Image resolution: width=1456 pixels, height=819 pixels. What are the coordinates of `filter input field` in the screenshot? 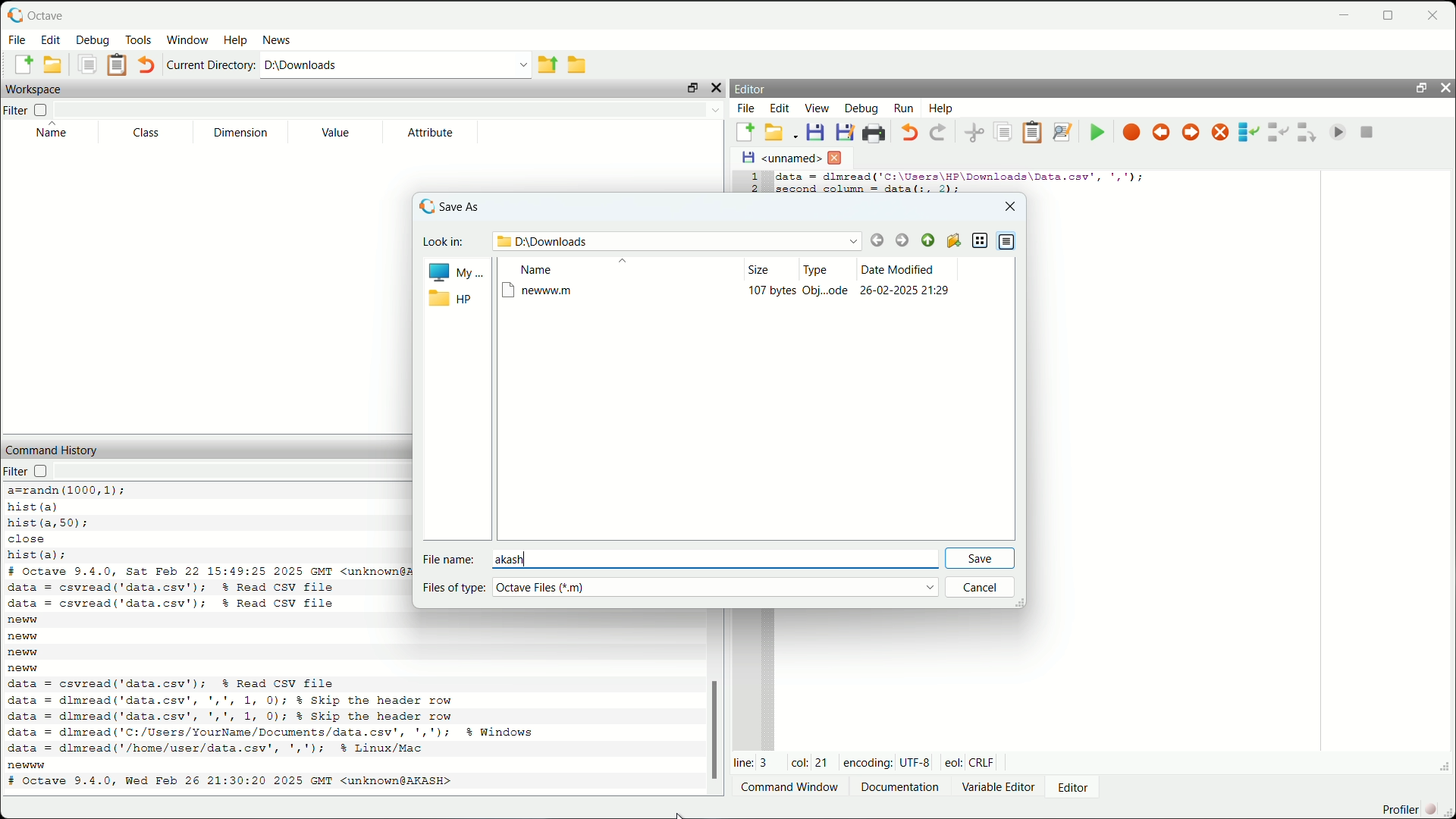 It's located at (395, 111).